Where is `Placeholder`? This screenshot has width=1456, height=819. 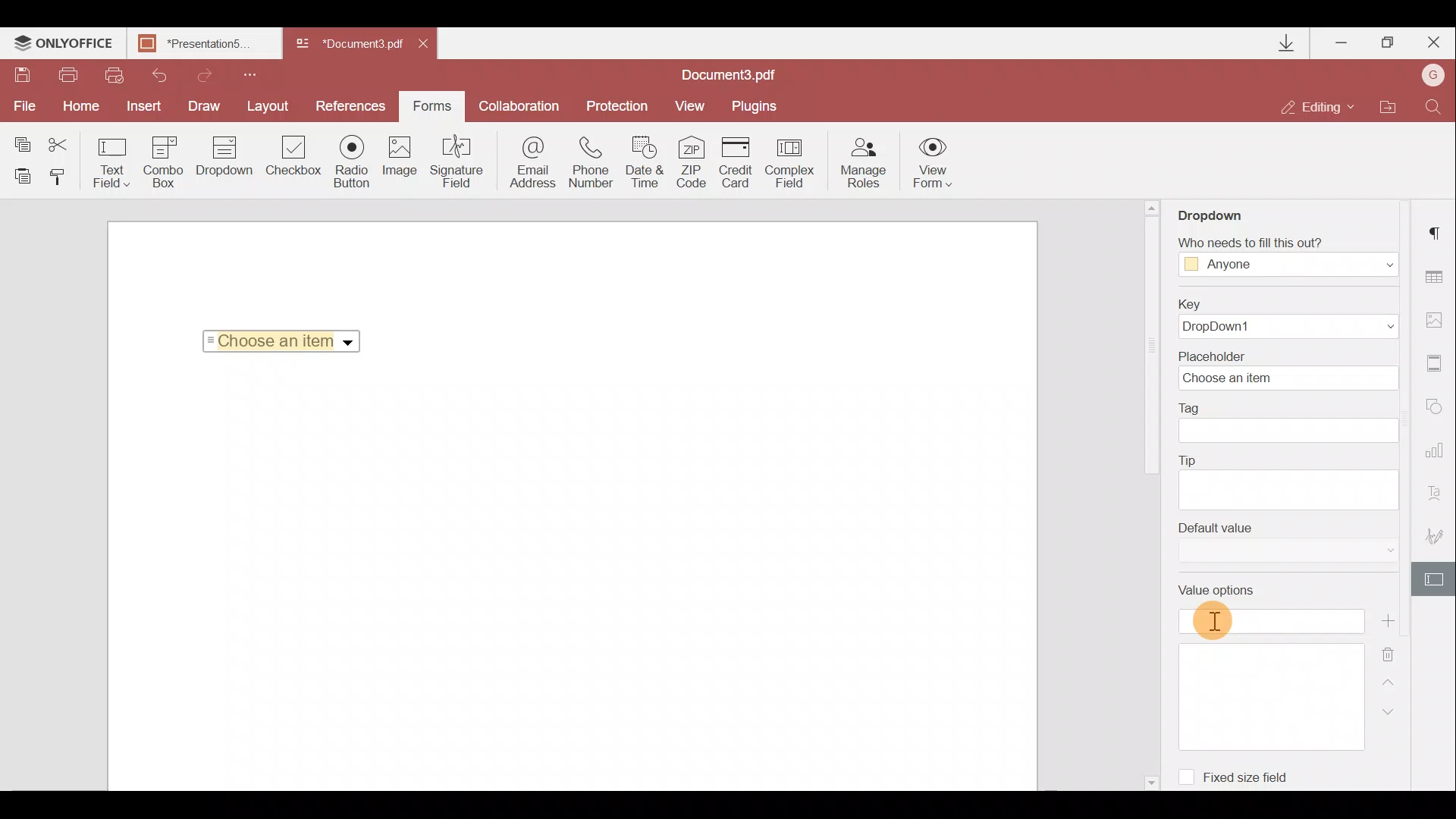
Placeholder is located at coordinates (1293, 369).